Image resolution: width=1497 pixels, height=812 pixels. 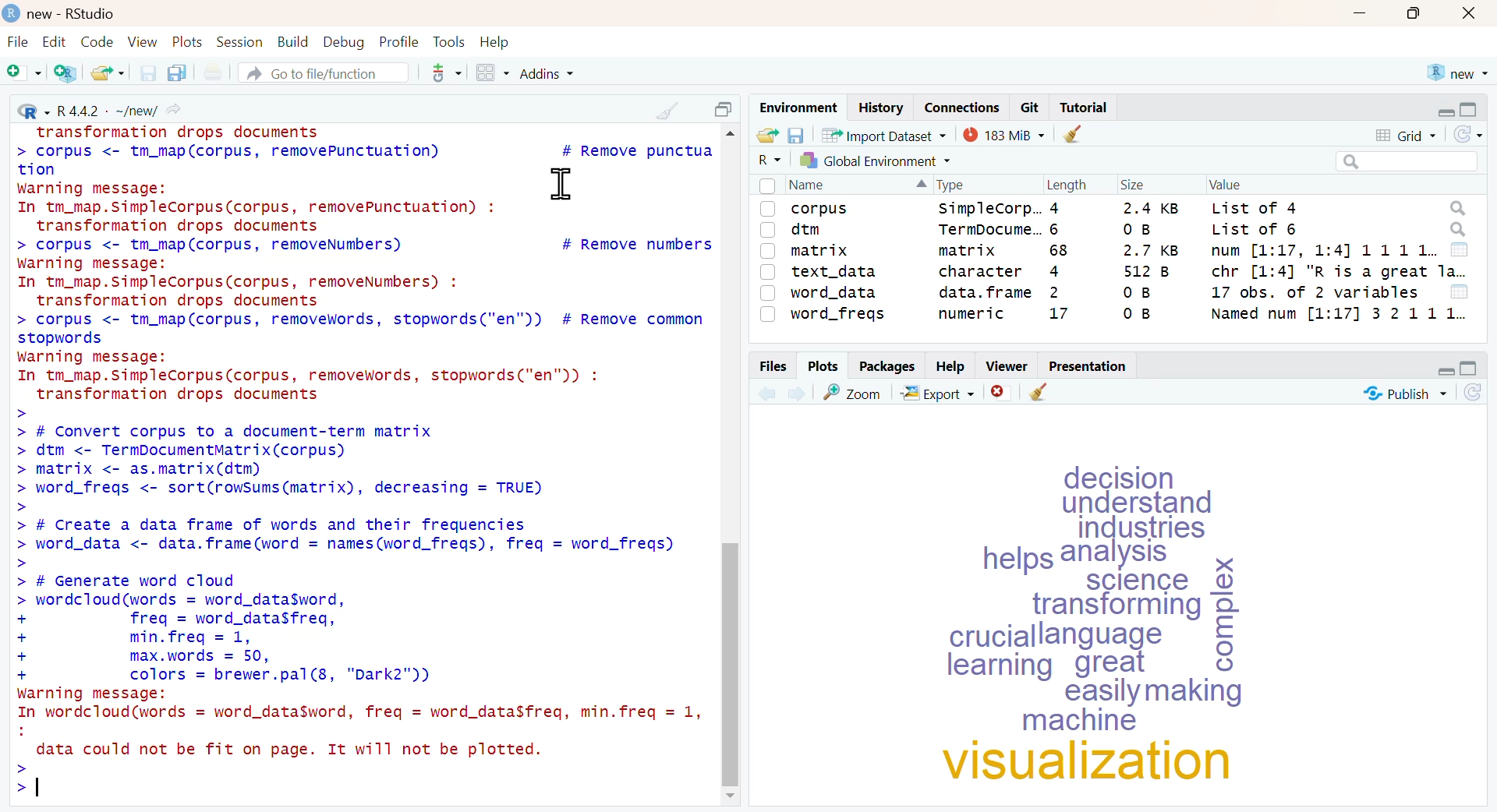 What do you see at coordinates (1072, 133) in the screenshot?
I see `Clear` at bounding box center [1072, 133].